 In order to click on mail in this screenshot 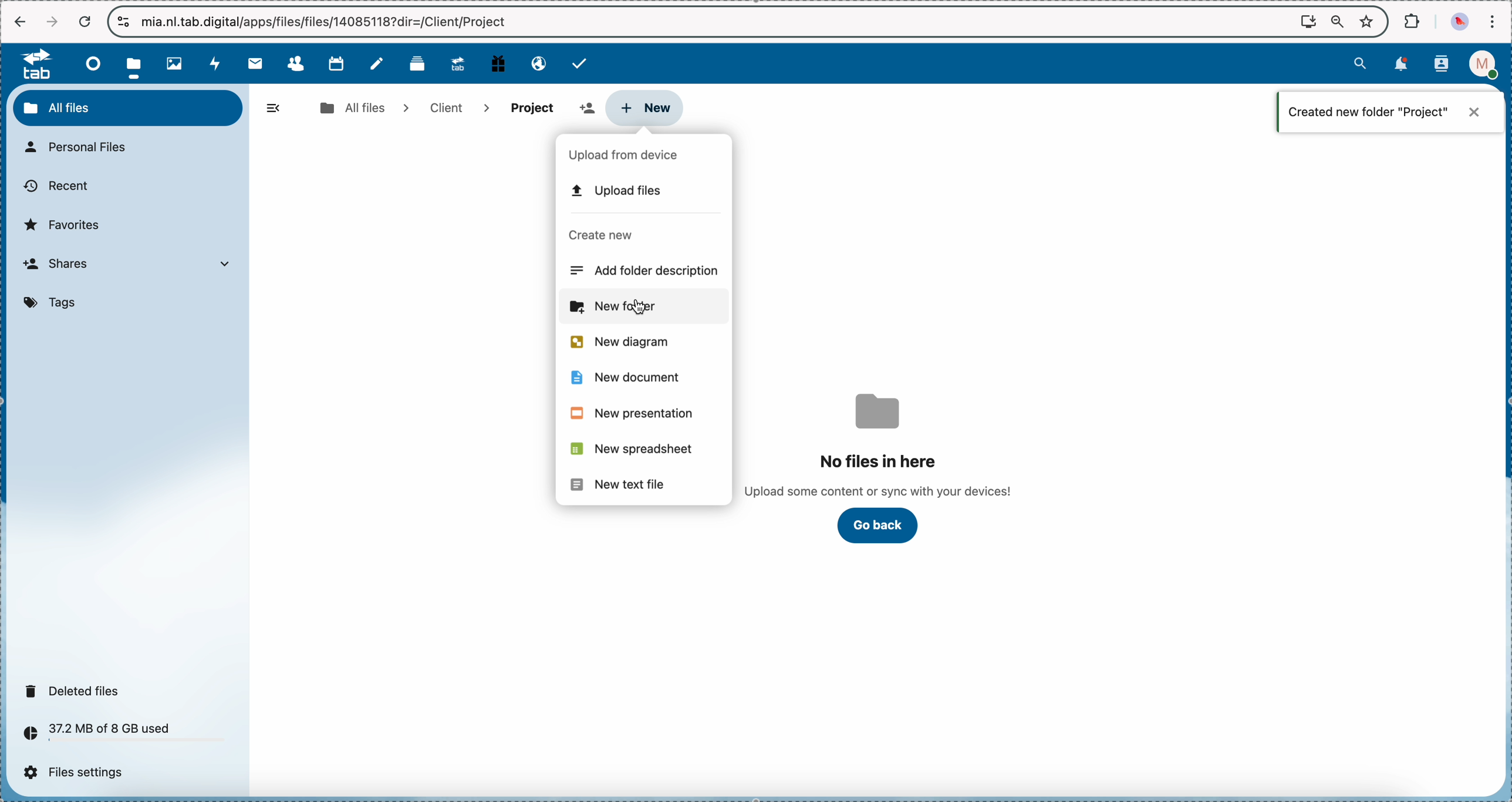, I will do `click(254, 63)`.